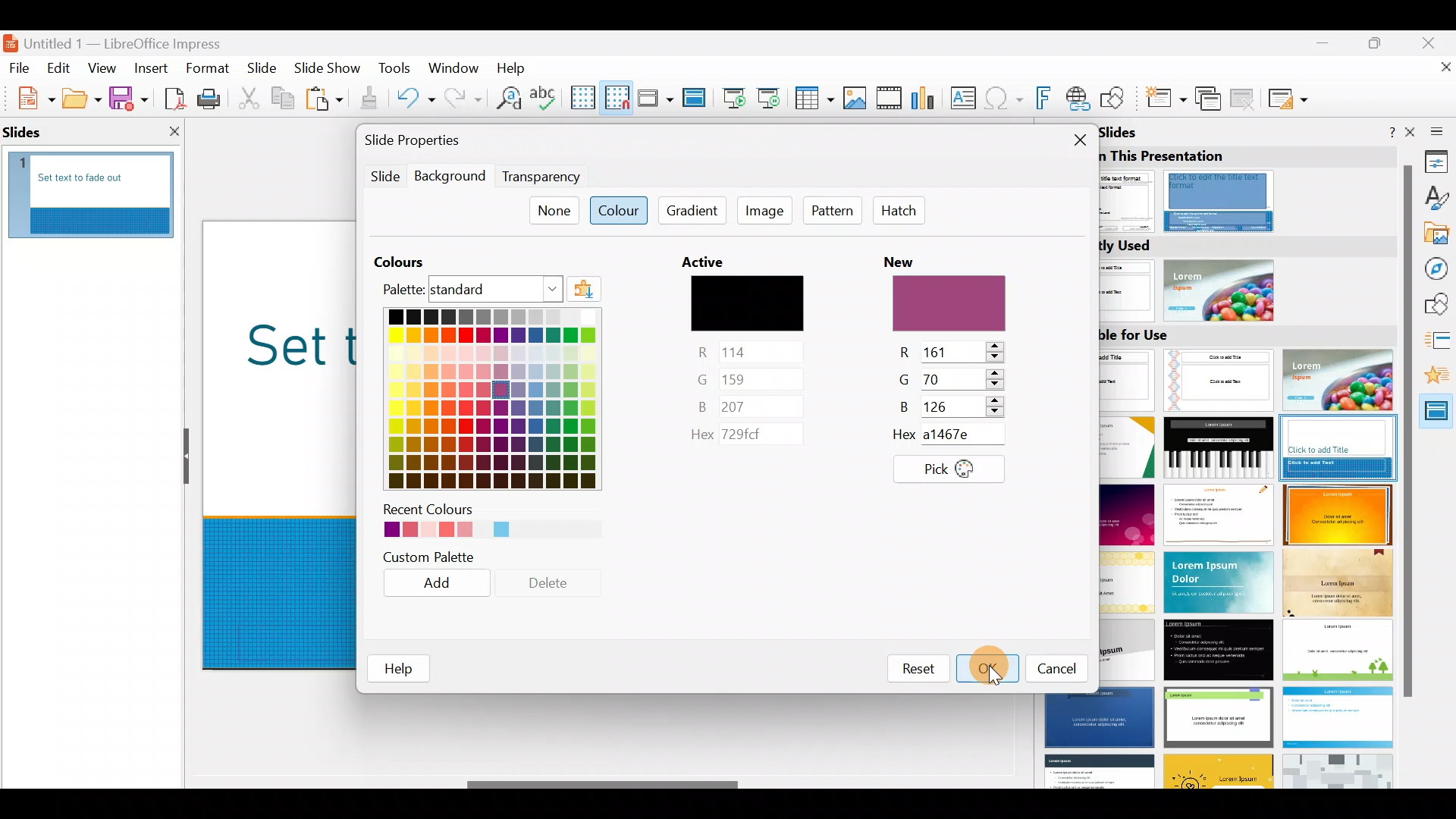  Describe the element at coordinates (400, 667) in the screenshot. I see `help` at that location.